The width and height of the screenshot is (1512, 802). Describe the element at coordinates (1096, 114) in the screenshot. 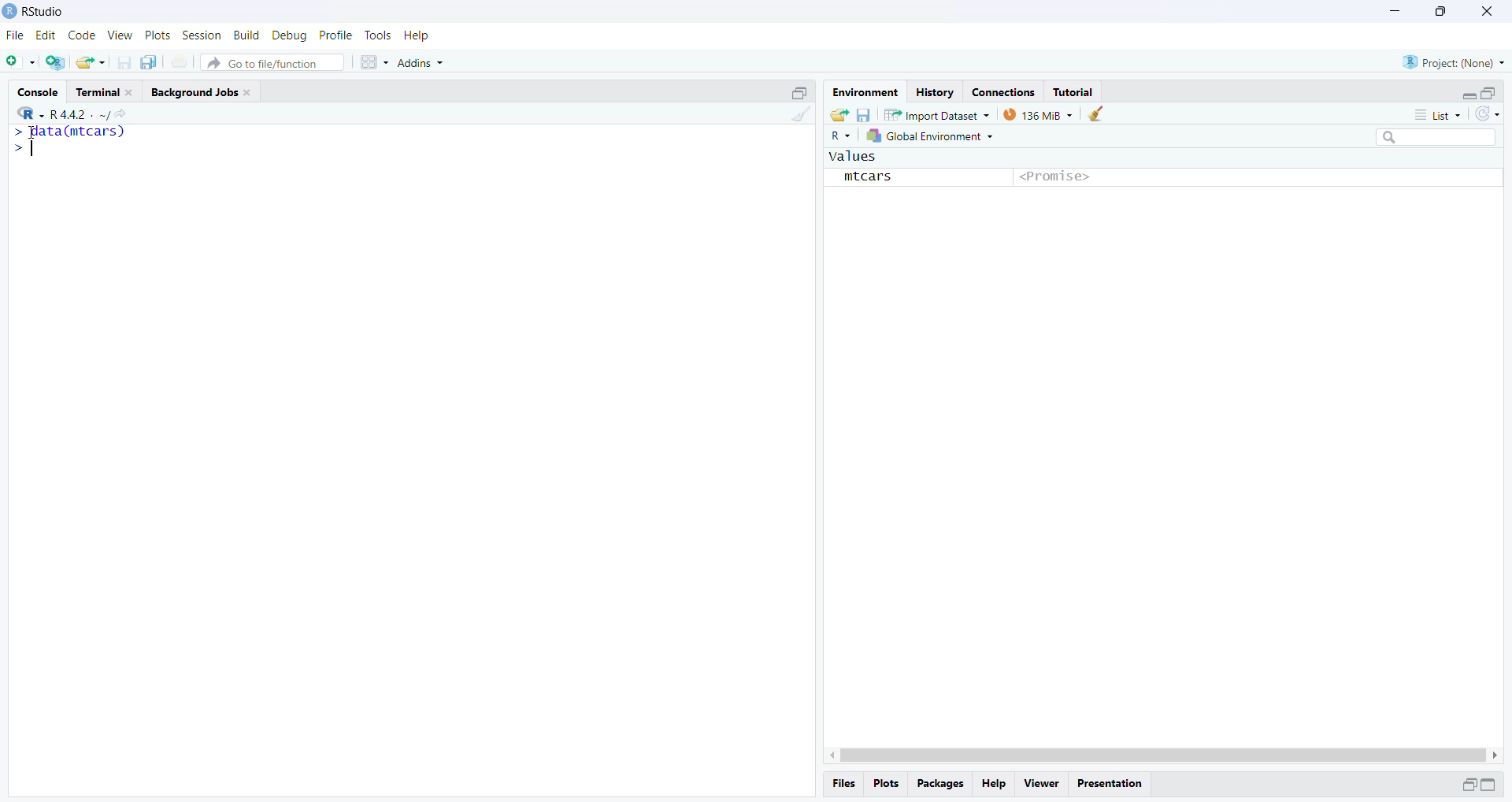

I see `Clear console (Ctrl +L)` at that location.